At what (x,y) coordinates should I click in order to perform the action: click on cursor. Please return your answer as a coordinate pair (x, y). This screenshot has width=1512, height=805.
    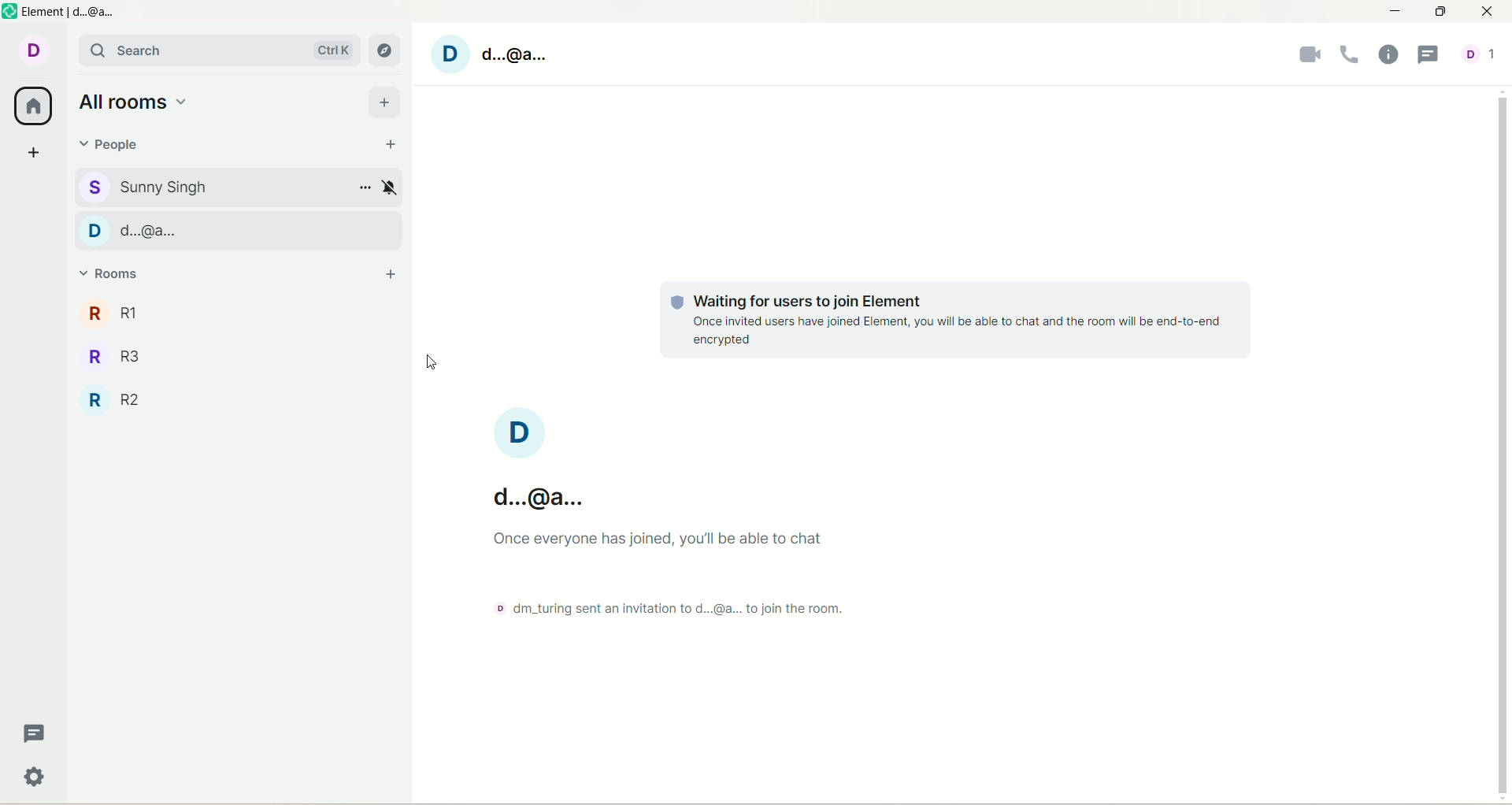
    Looking at the image, I should click on (436, 363).